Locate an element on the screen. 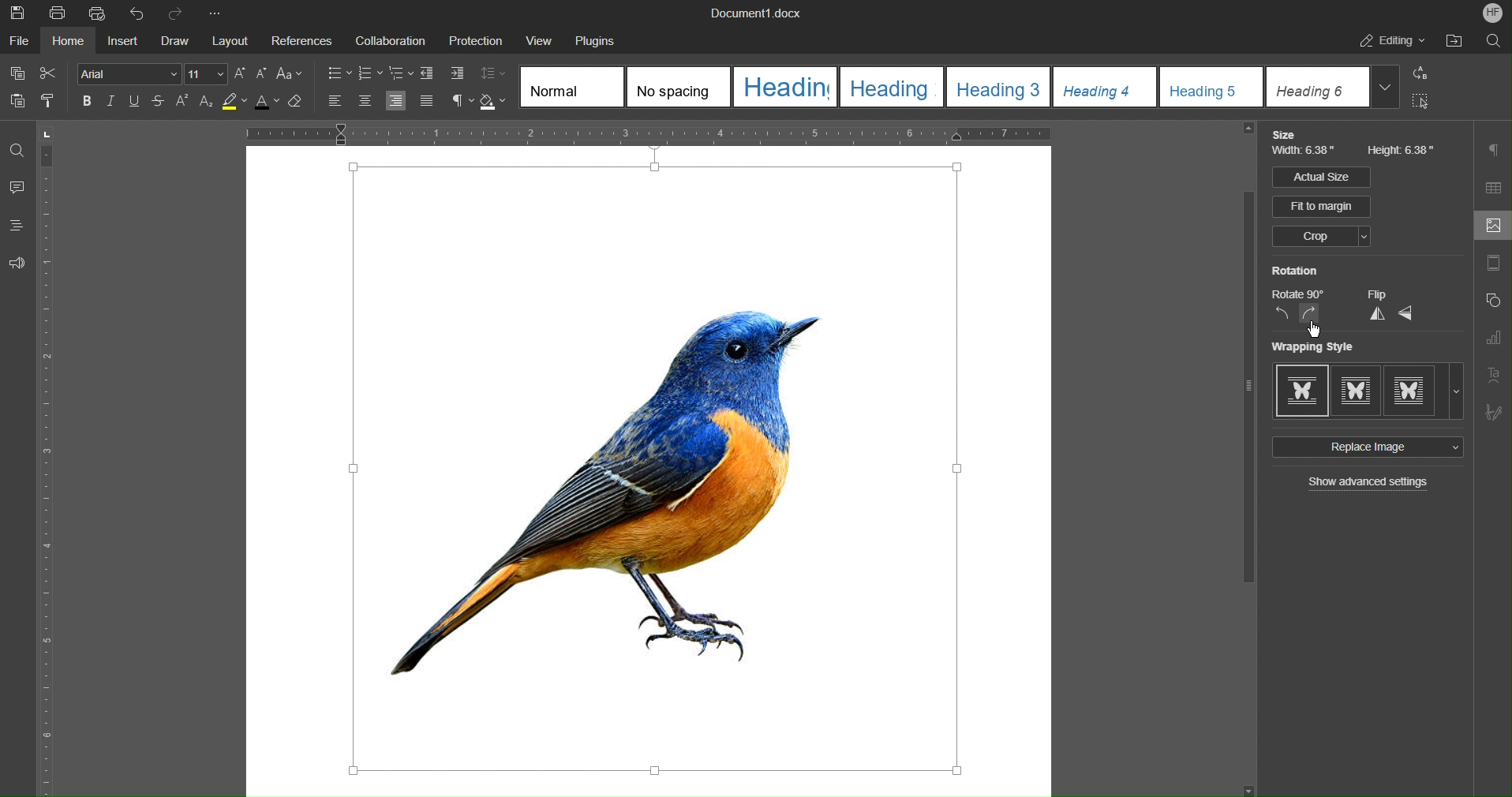  Decrease Indent is located at coordinates (427, 74).